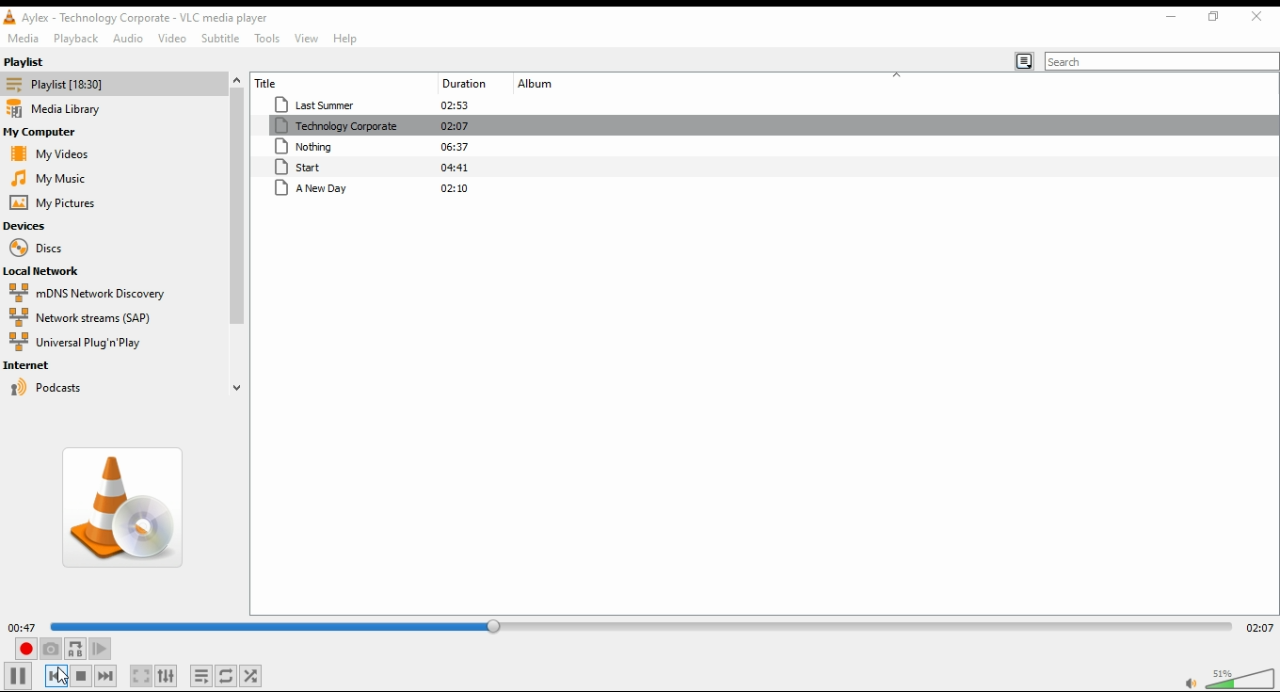 The image size is (1280, 692). What do you see at coordinates (1257, 16) in the screenshot?
I see `close window` at bounding box center [1257, 16].